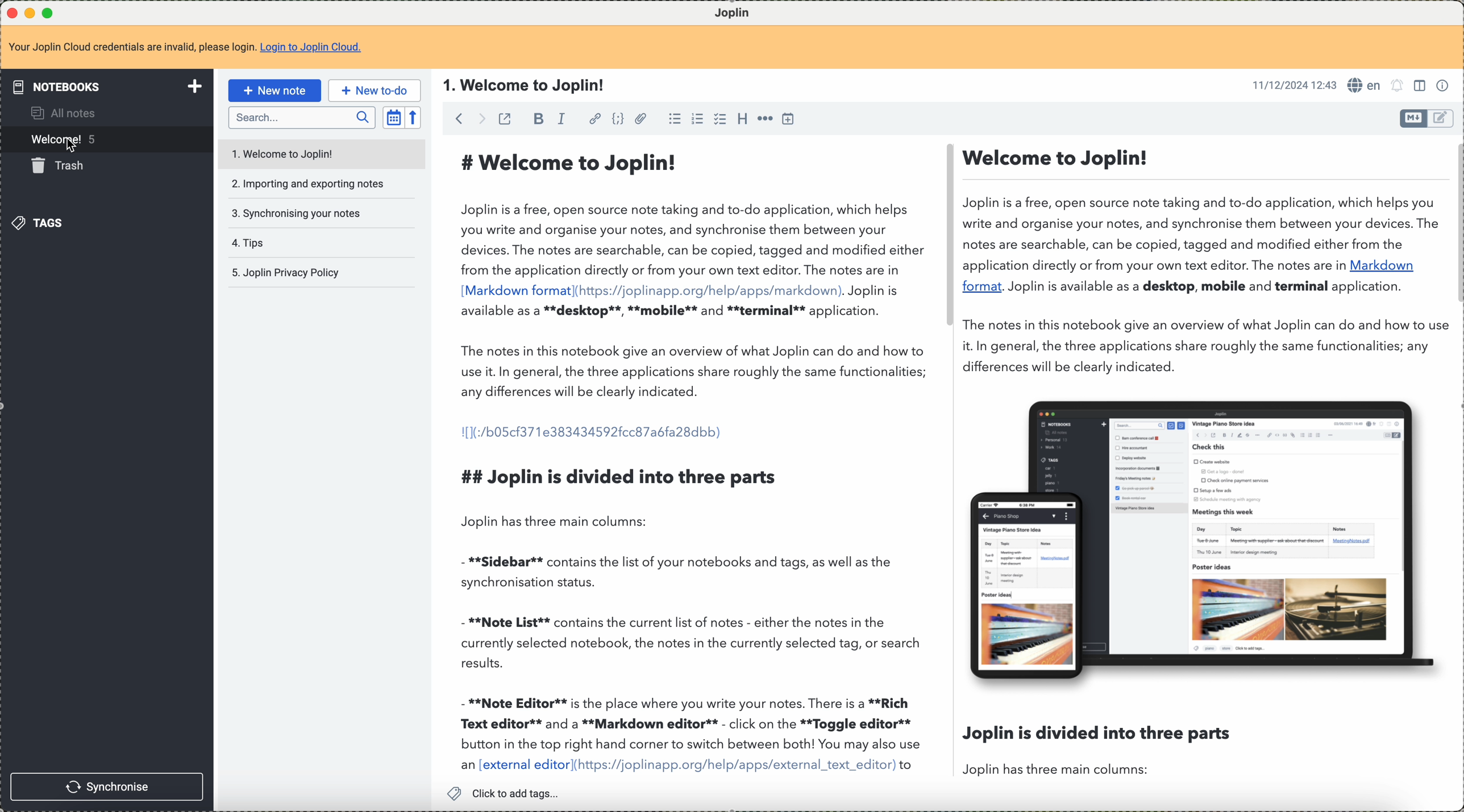 Image resolution: width=1464 pixels, height=812 pixels. I want to click on horizontal rule, so click(767, 119).